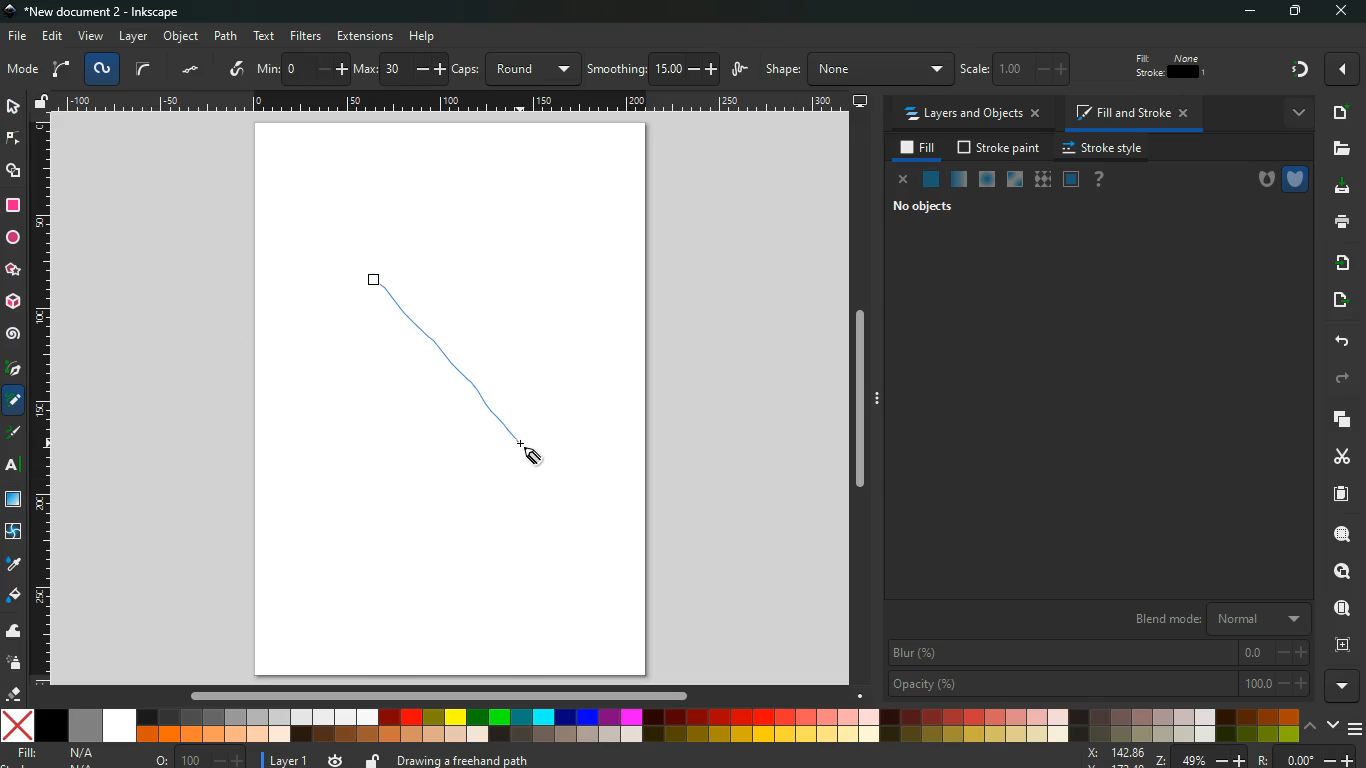 This screenshot has width=1366, height=768. I want to click on erase, so click(14, 695).